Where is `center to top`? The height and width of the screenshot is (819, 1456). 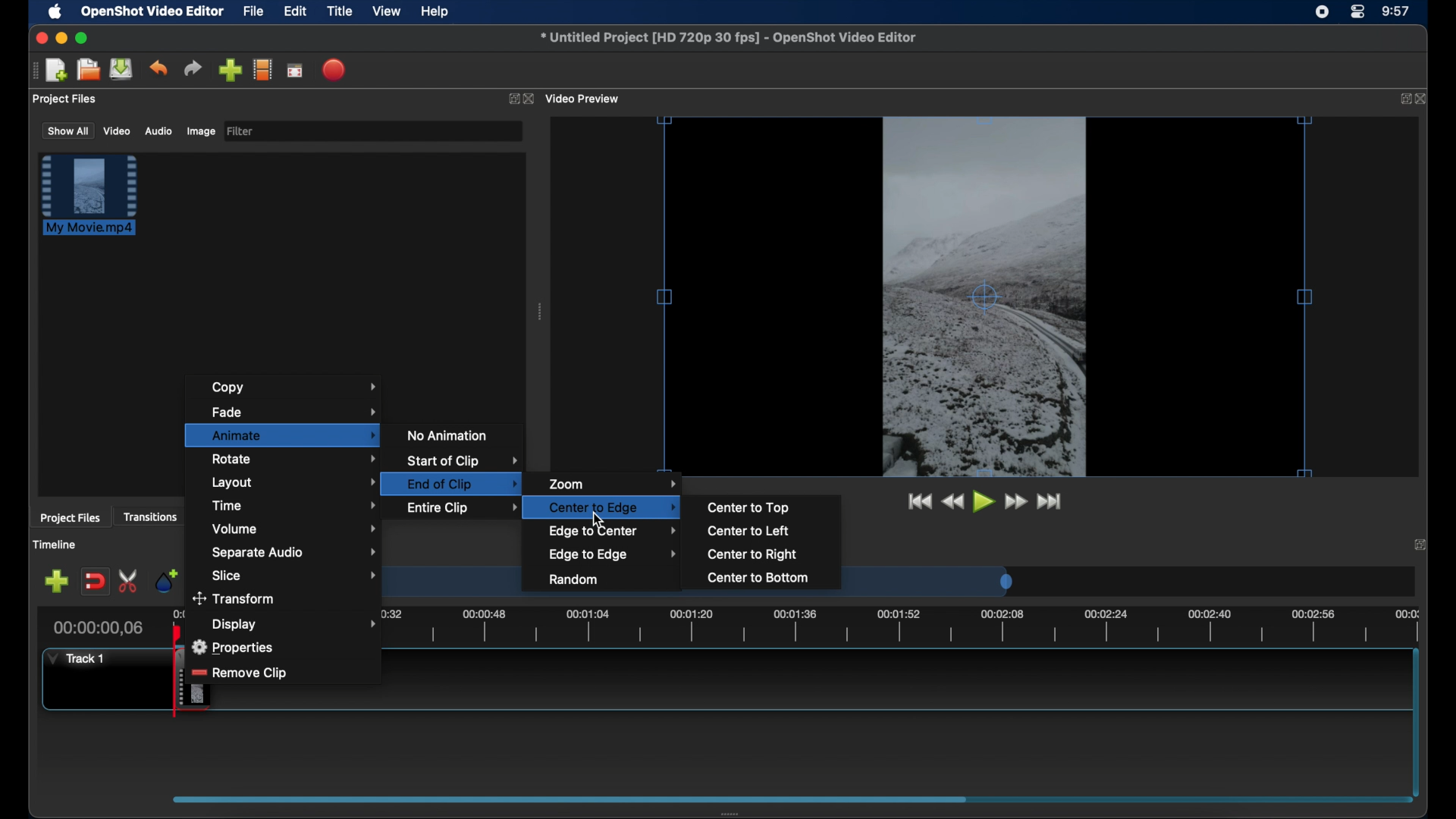 center to top is located at coordinates (748, 507).